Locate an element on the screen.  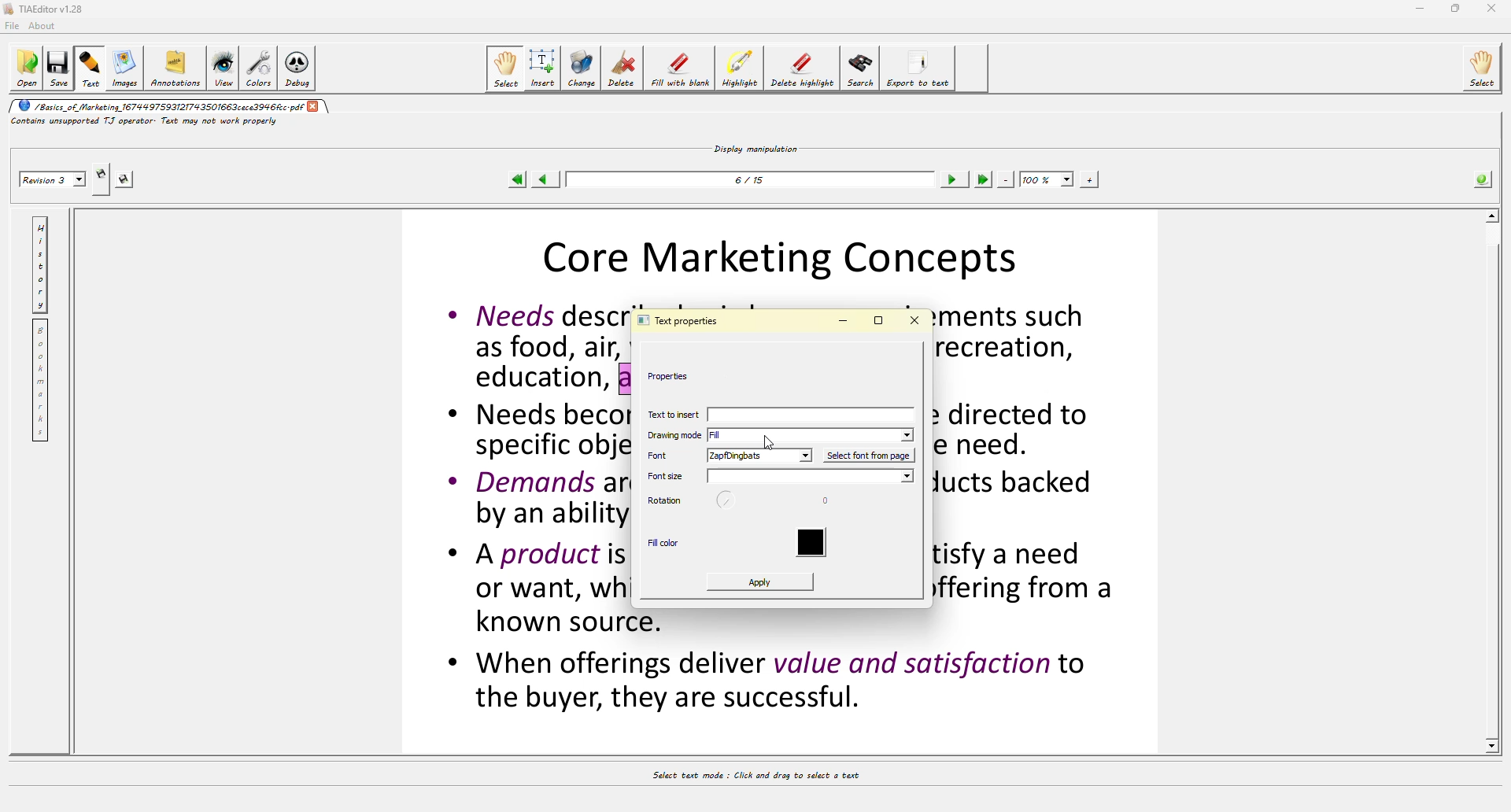
select text mode : Click and drag to select a text is located at coordinates (772, 777).